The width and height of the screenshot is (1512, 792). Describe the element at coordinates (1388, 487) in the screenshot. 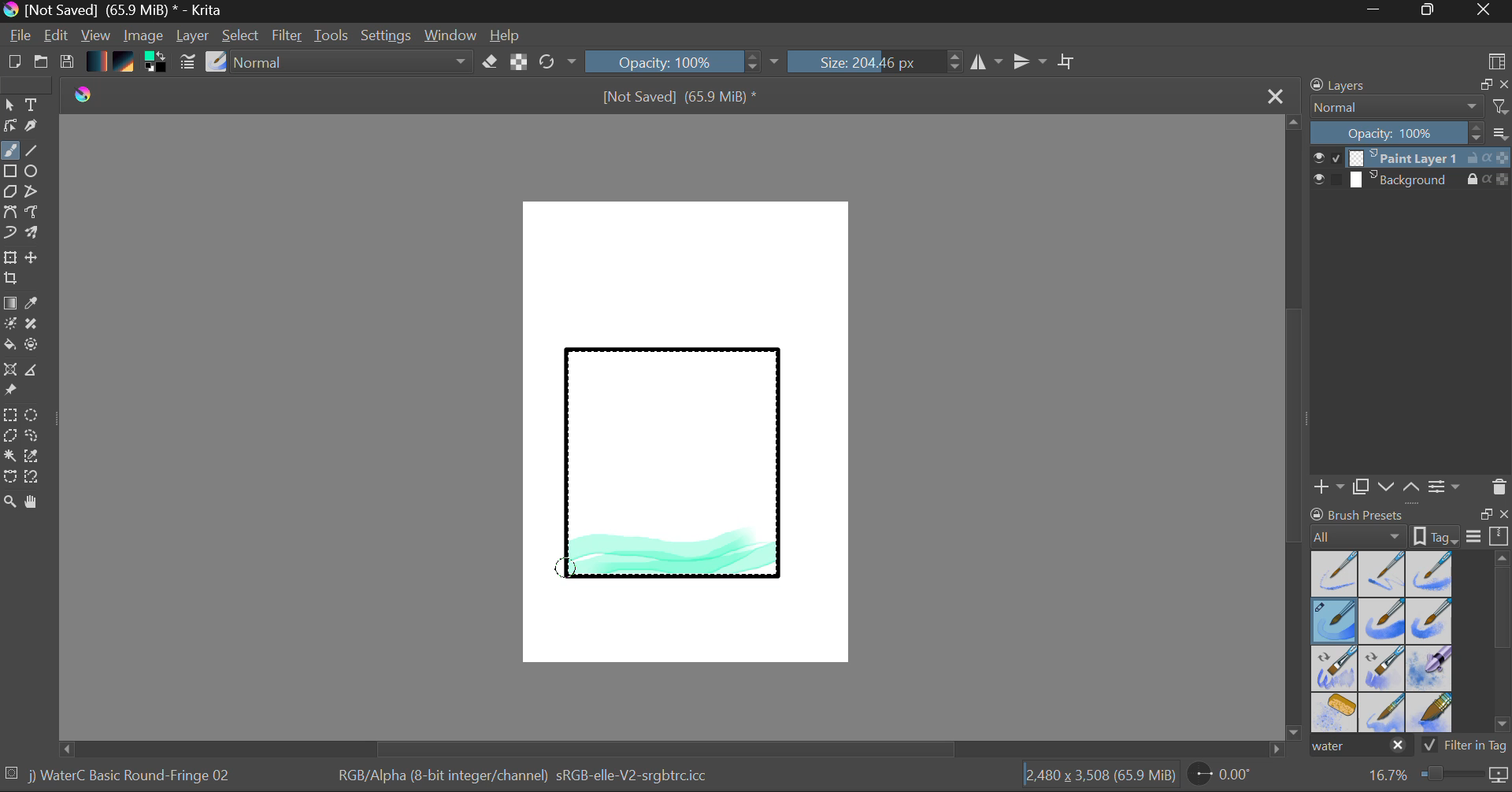

I see `Move Layer Down` at that location.